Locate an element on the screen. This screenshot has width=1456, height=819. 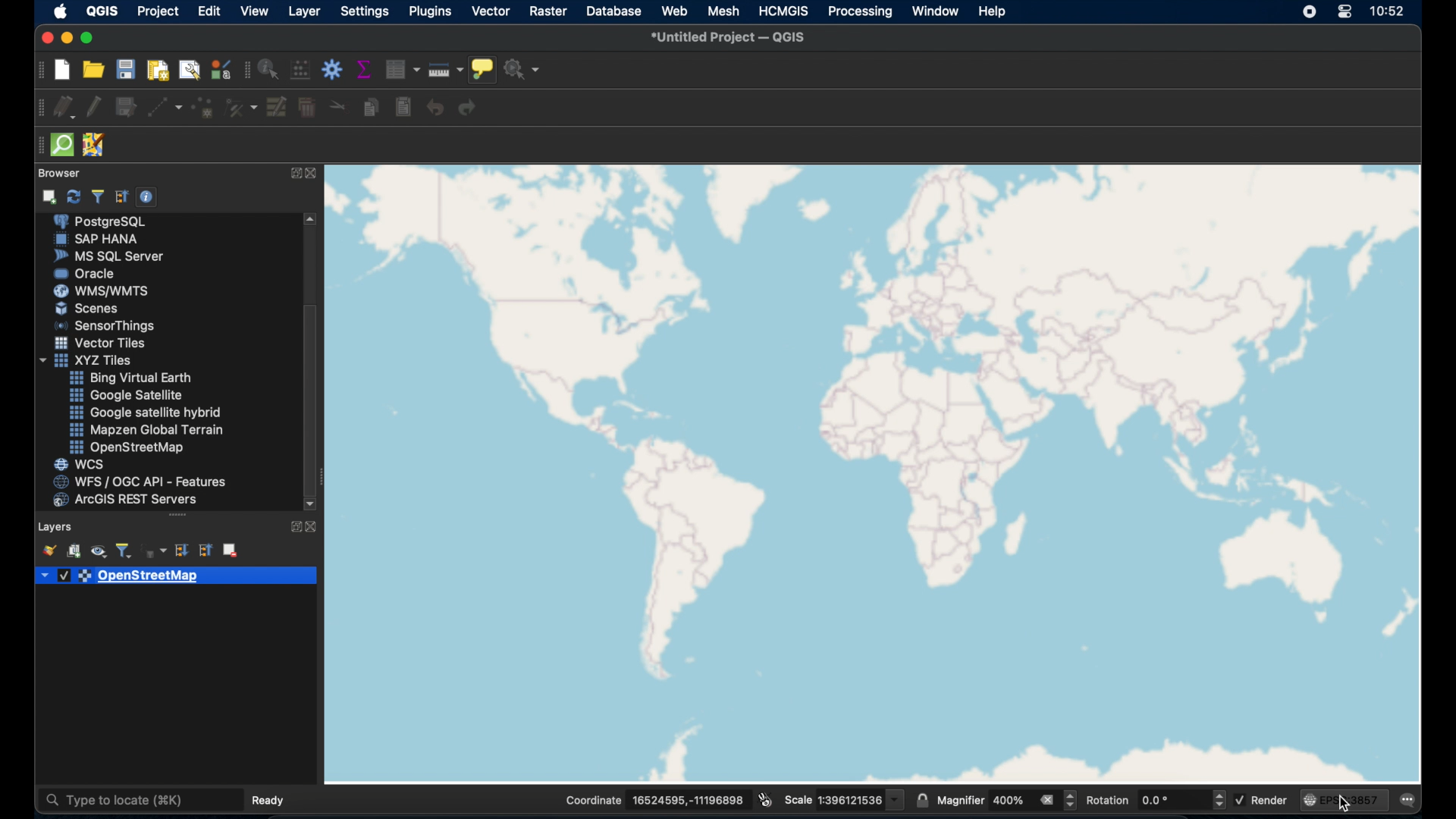
vertex tool is located at coordinates (243, 108).